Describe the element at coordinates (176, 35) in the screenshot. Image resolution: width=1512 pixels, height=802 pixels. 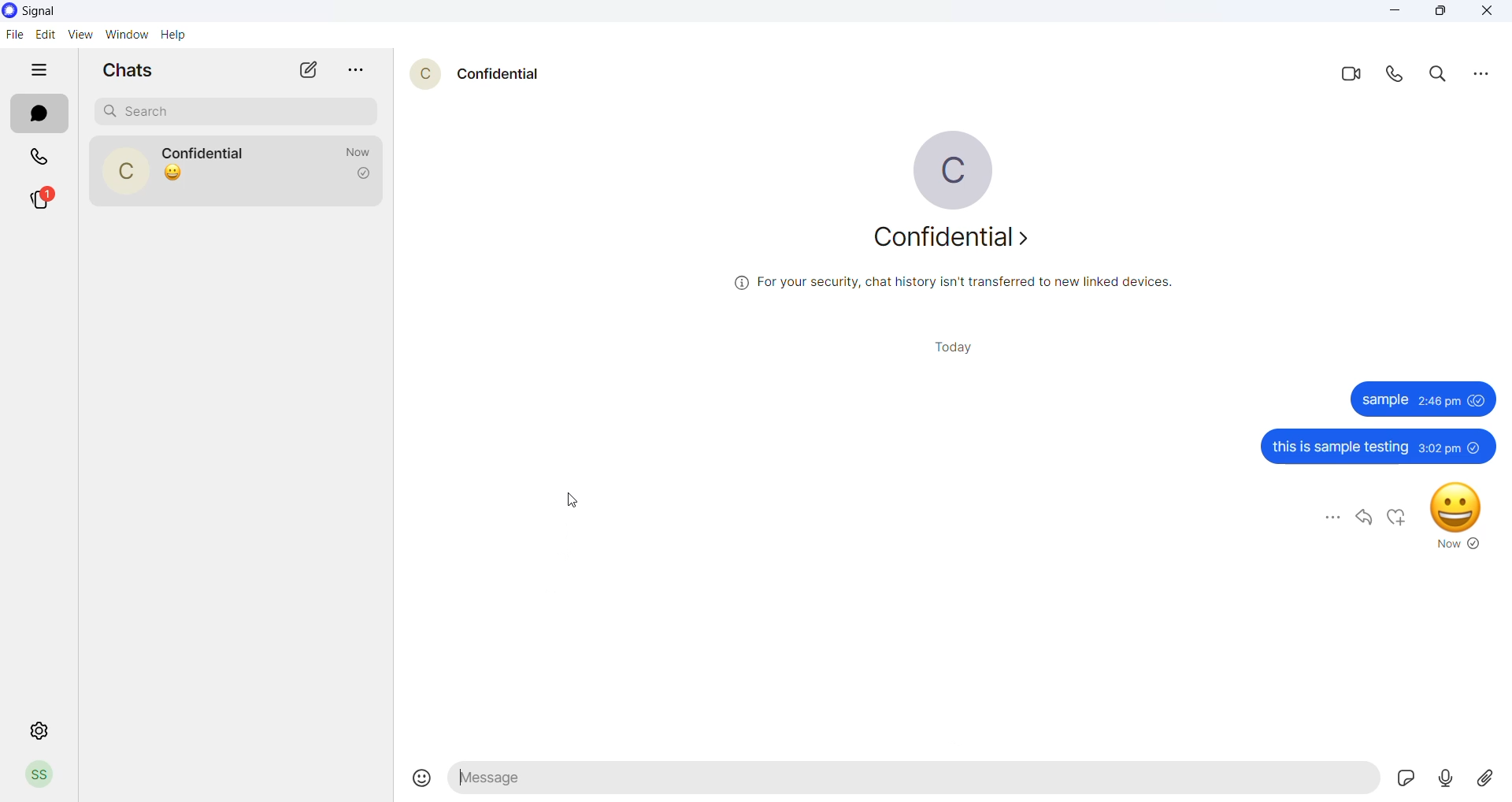
I see `help` at that location.